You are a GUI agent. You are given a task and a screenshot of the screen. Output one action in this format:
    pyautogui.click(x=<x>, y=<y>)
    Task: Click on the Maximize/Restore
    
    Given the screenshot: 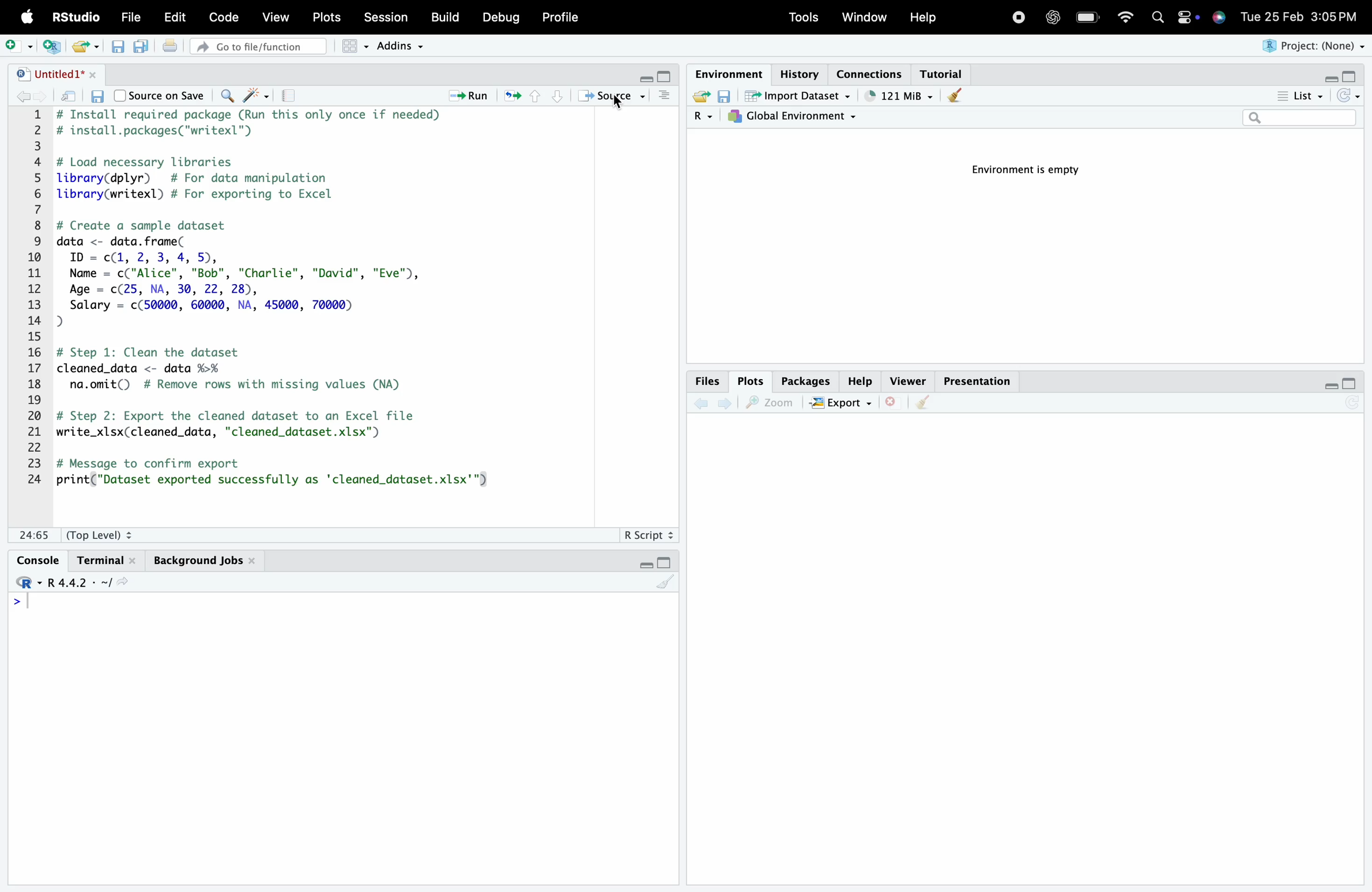 What is the action you would take?
    pyautogui.click(x=1352, y=385)
    